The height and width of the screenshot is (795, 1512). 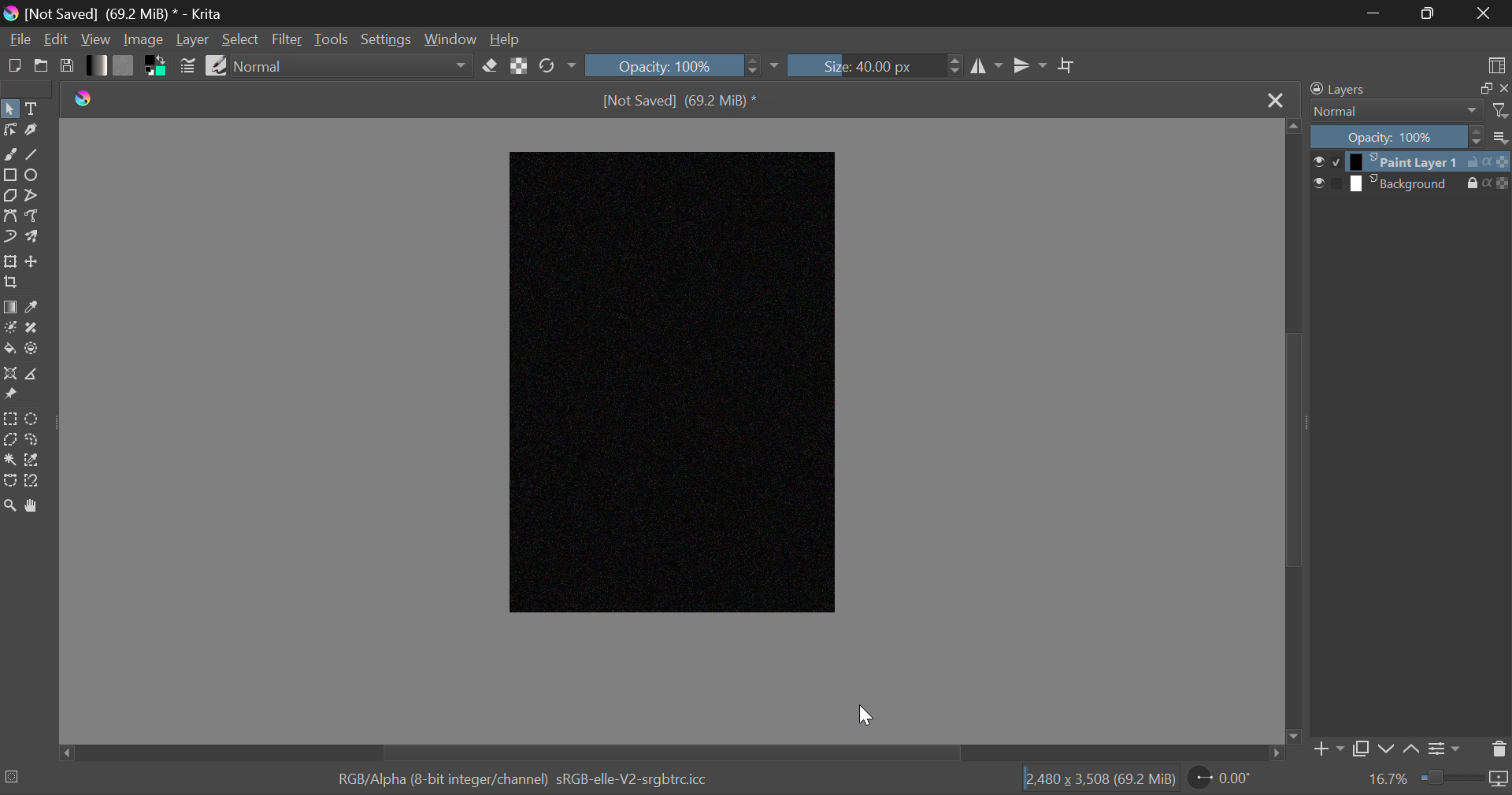 What do you see at coordinates (34, 264) in the screenshot?
I see `Move Layer` at bounding box center [34, 264].